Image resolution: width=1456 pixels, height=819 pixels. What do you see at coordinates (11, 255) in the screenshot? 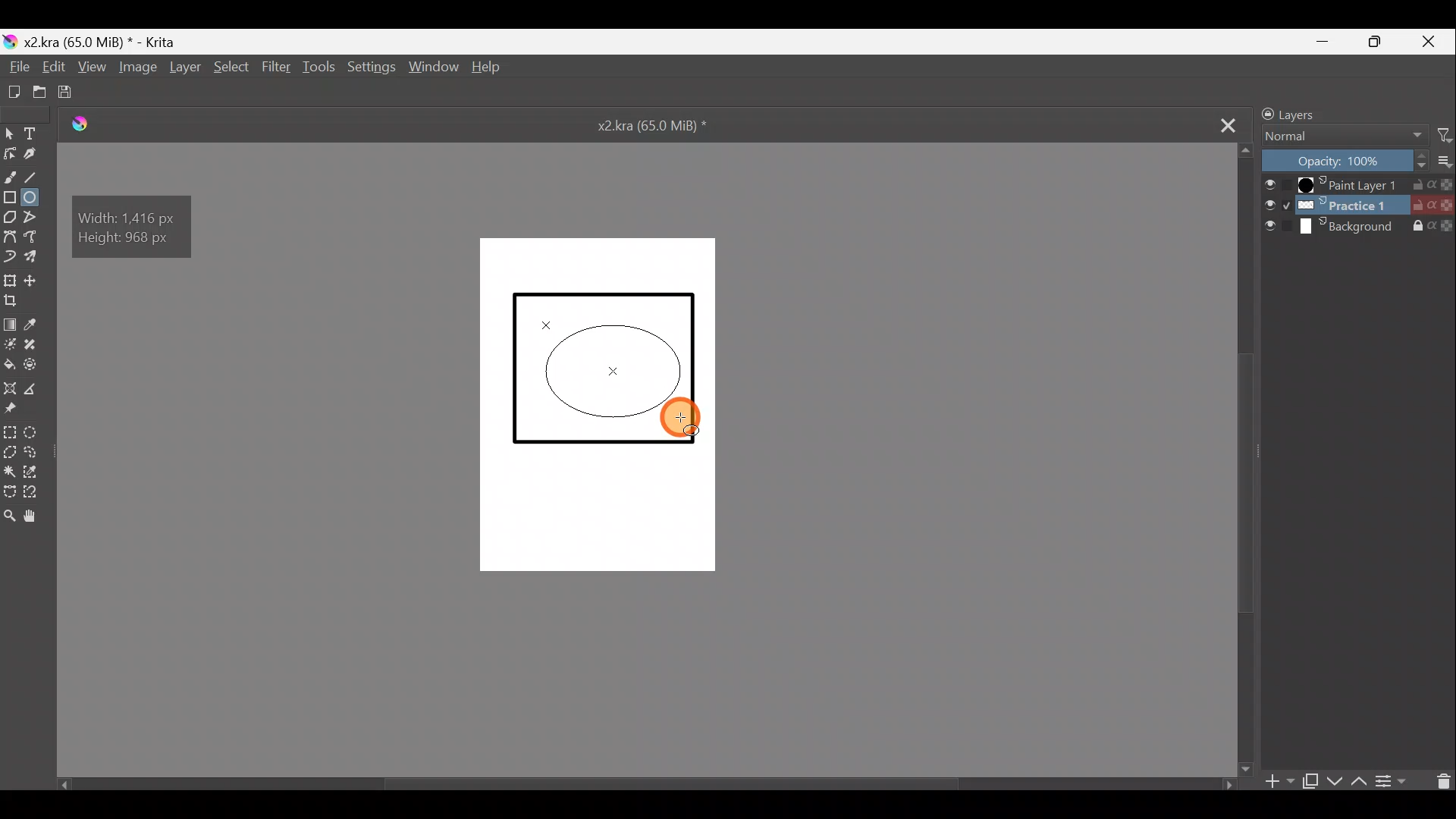
I see `Magnetic curve tool` at bounding box center [11, 255].